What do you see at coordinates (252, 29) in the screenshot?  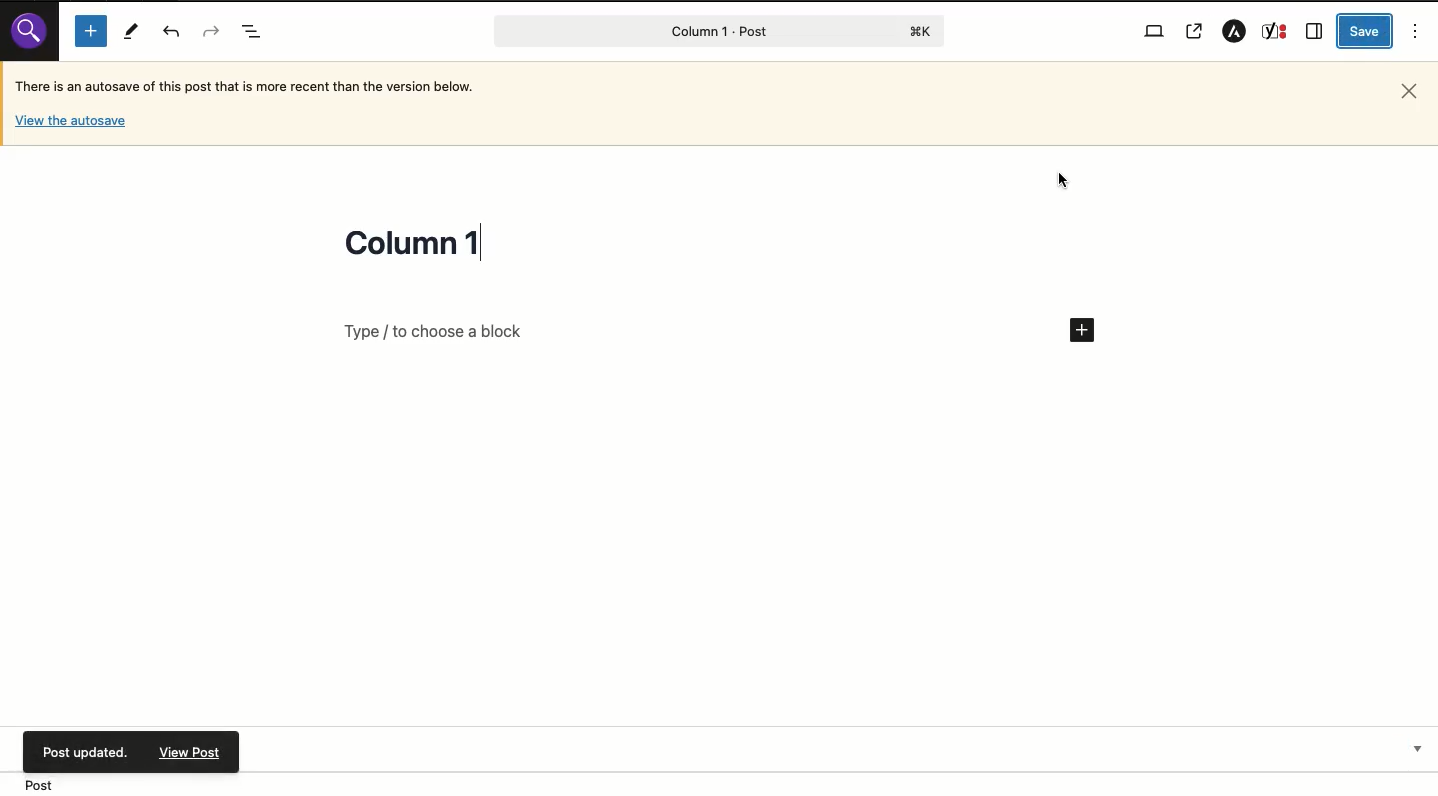 I see `Document overview` at bounding box center [252, 29].